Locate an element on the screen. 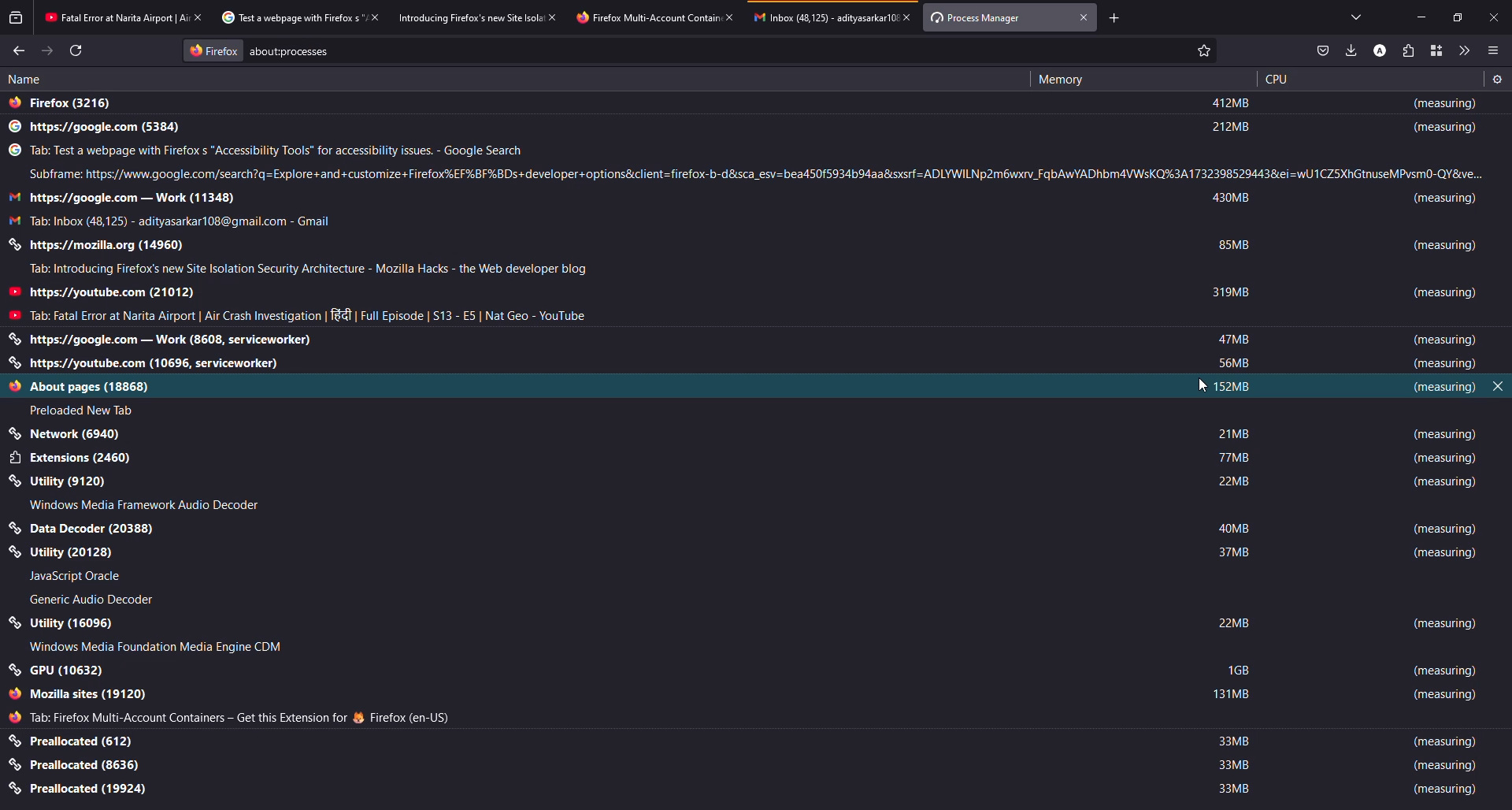 The width and height of the screenshot is (1512, 810). measuring is located at coordinates (1440, 482).